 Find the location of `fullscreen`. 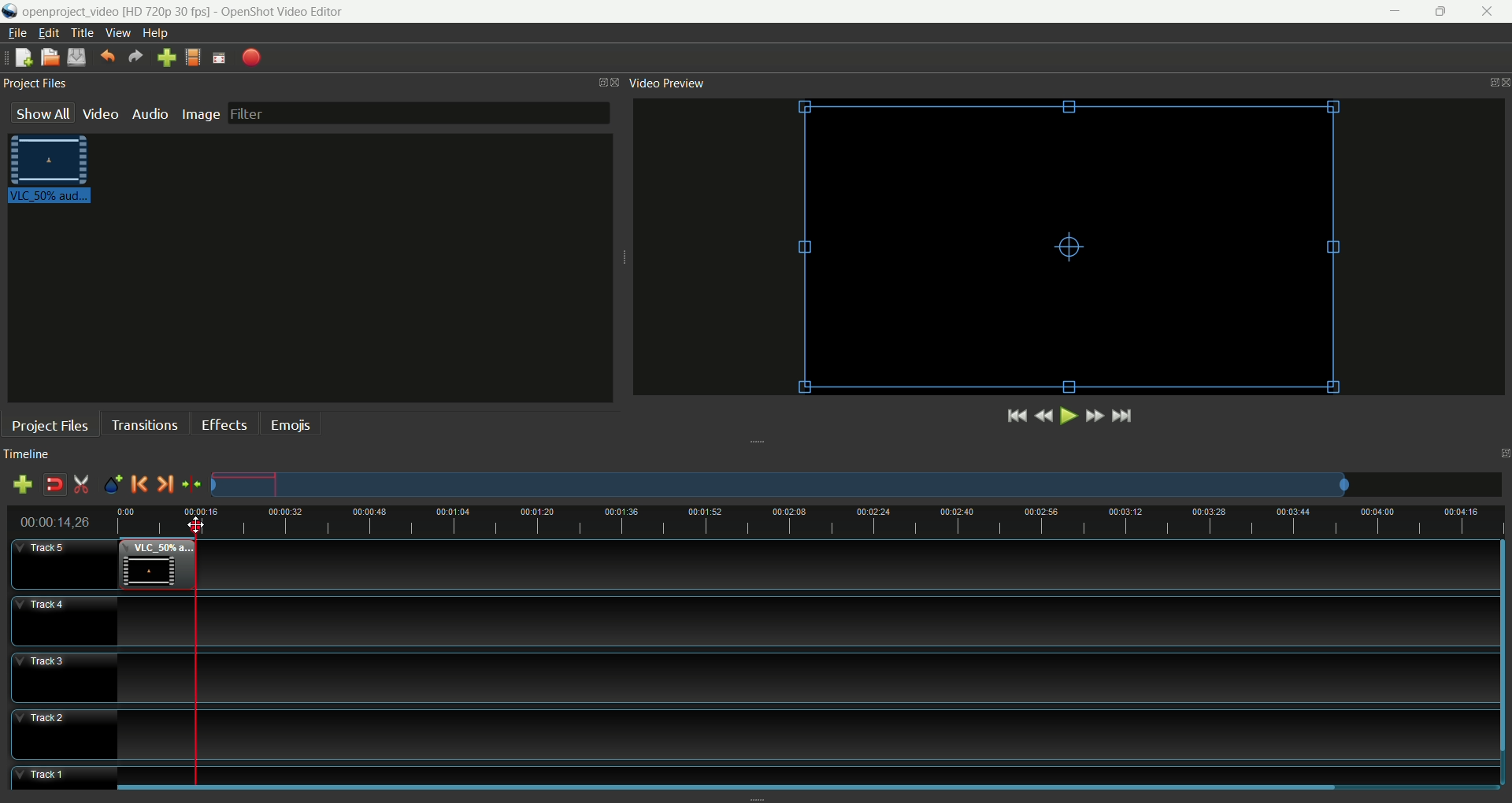

fullscreen is located at coordinates (219, 56).